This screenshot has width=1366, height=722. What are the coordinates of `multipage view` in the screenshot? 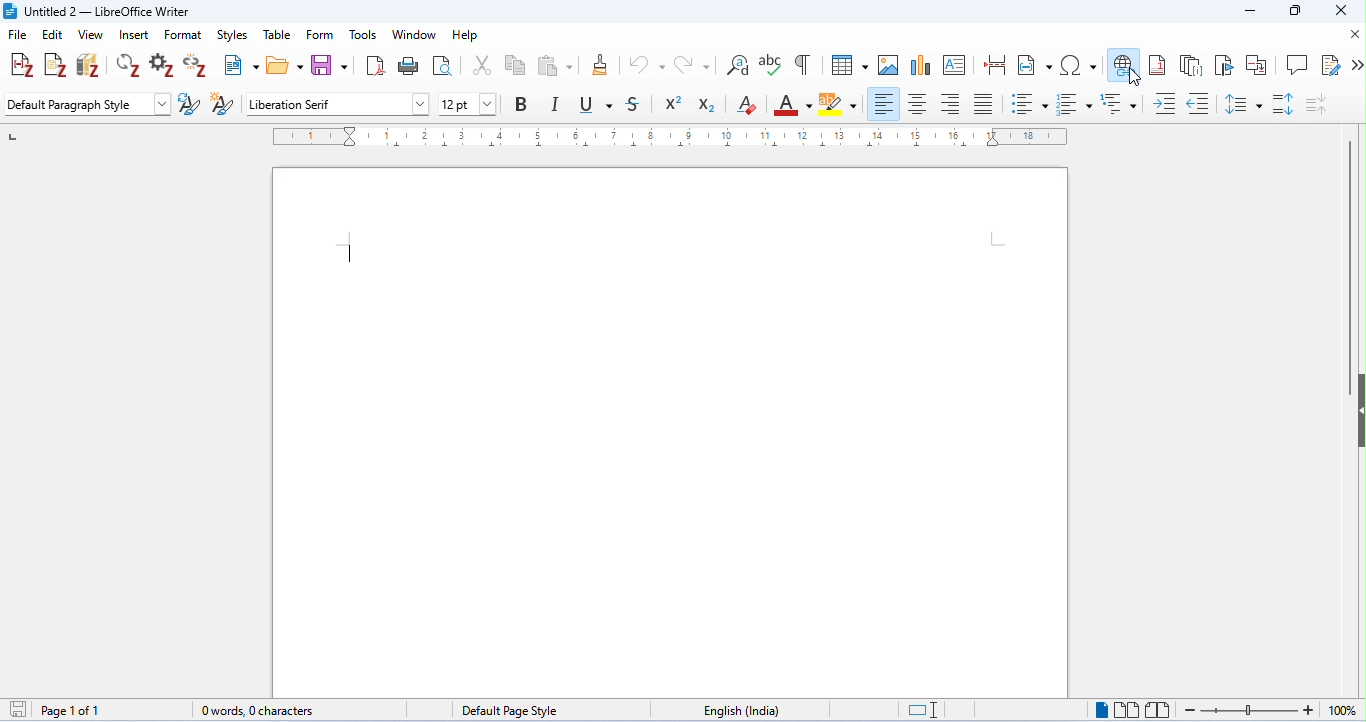 It's located at (1125, 709).